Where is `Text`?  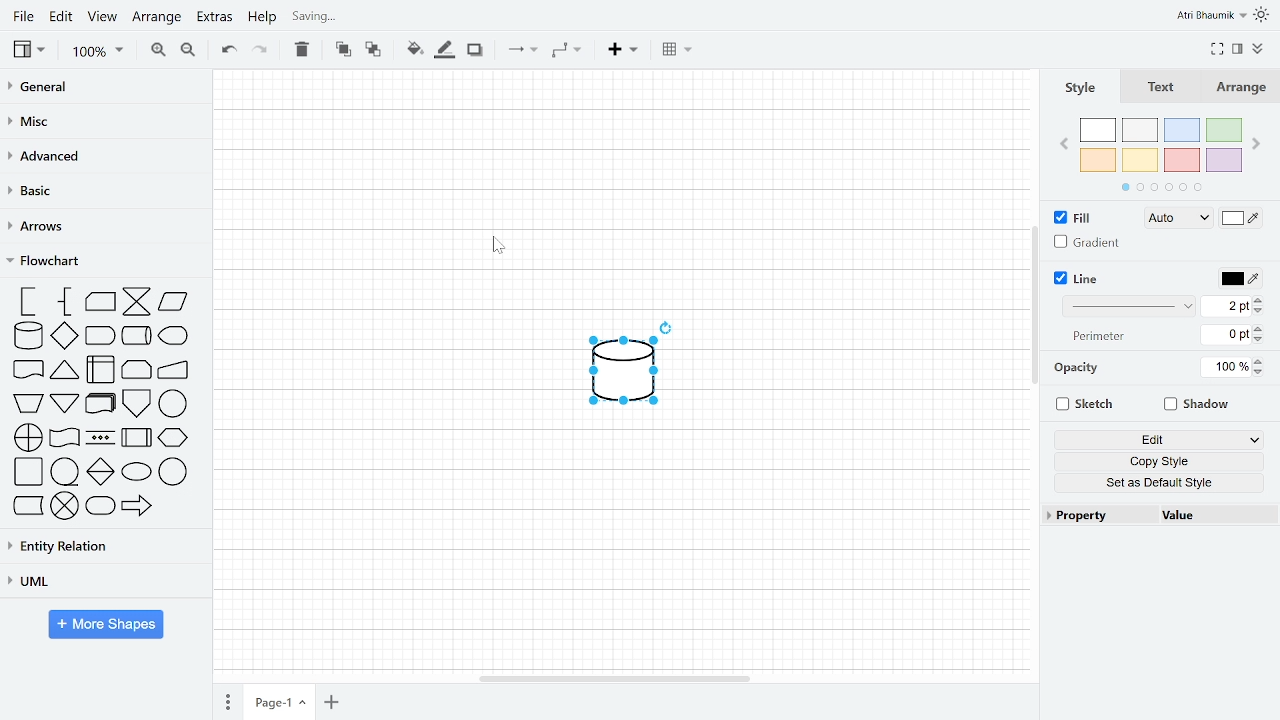 Text is located at coordinates (1162, 88).